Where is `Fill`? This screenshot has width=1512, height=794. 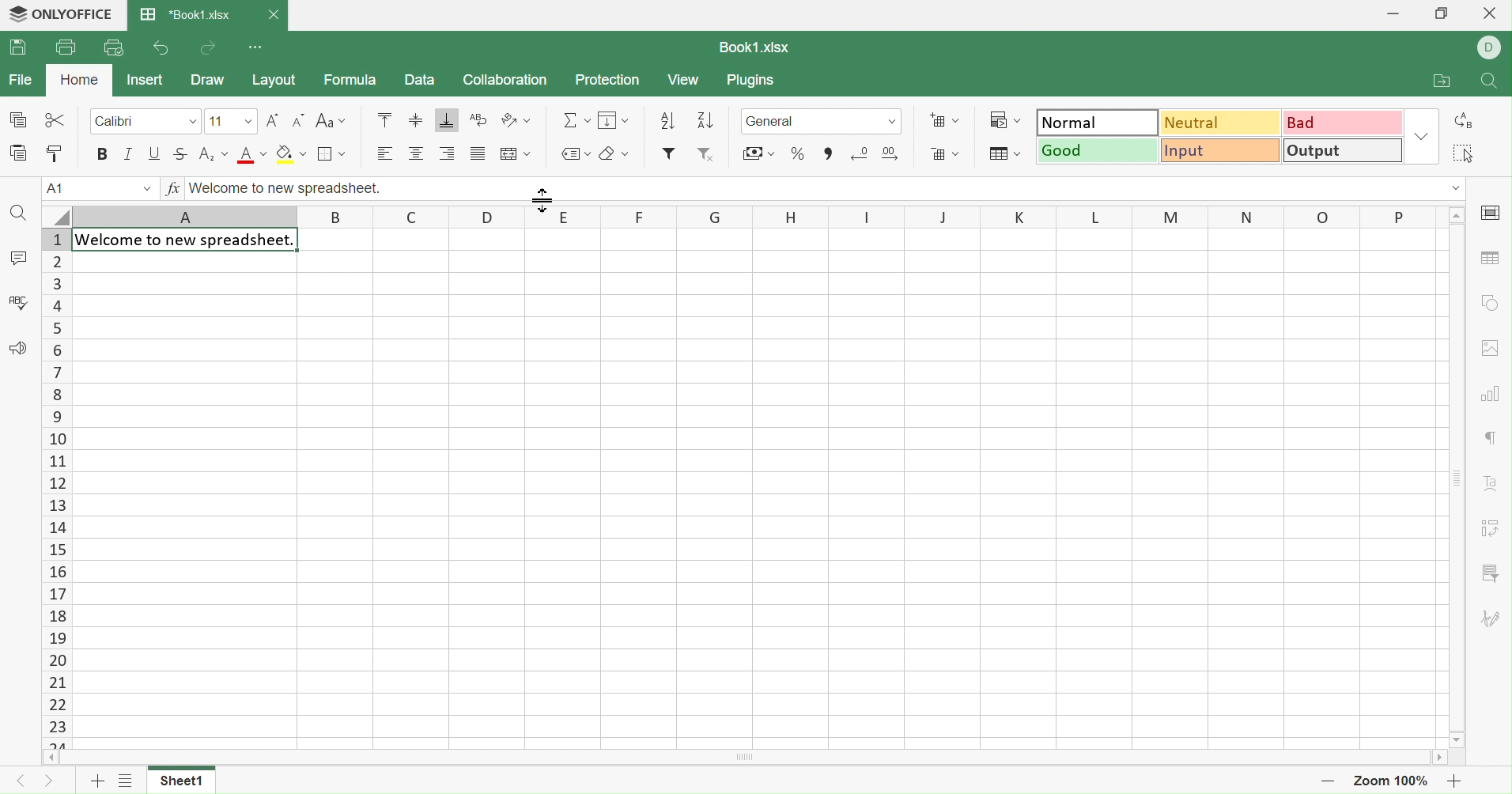
Fill is located at coordinates (615, 119).